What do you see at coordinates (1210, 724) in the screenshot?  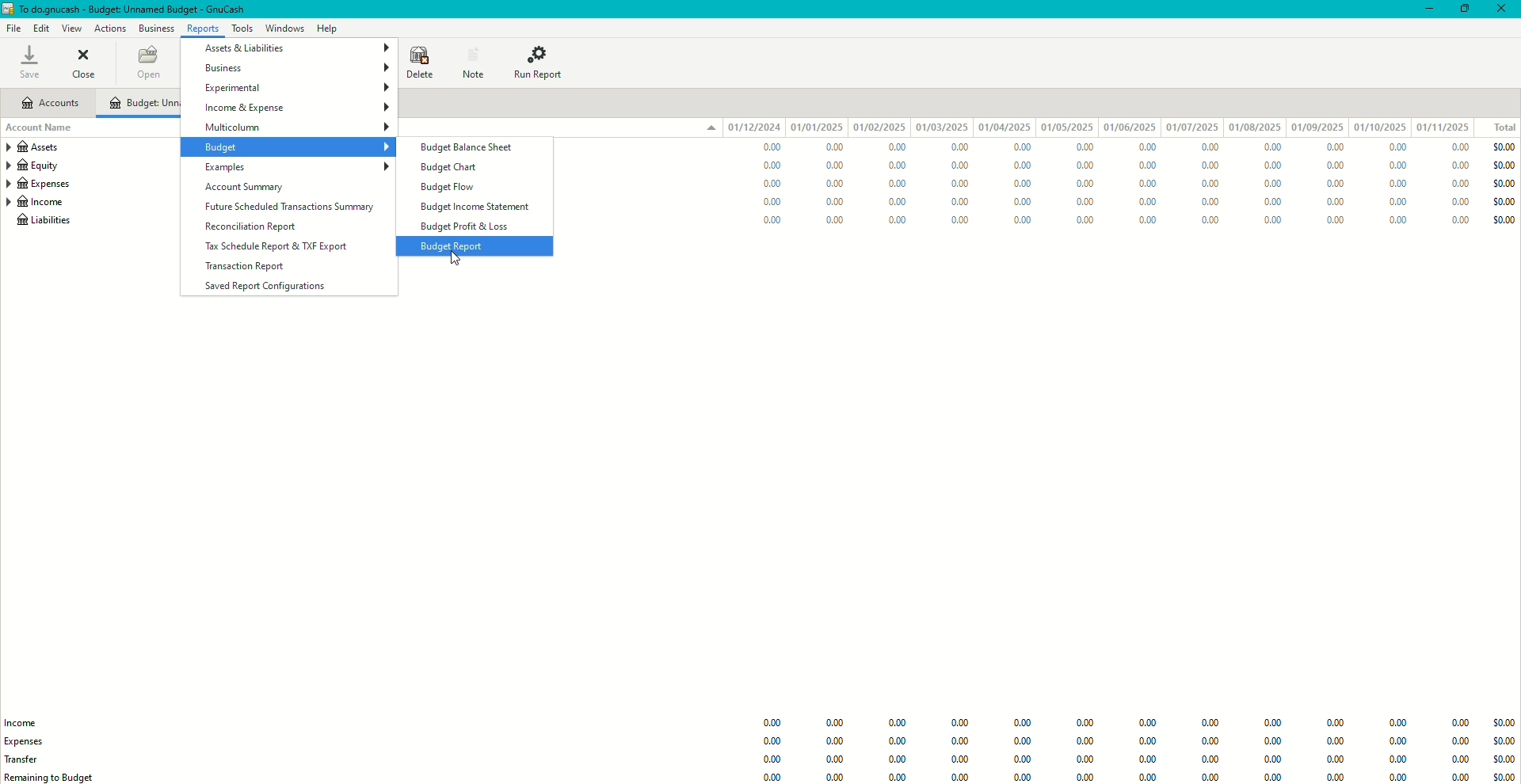 I see `0.00` at bounding box center [1210, 724].